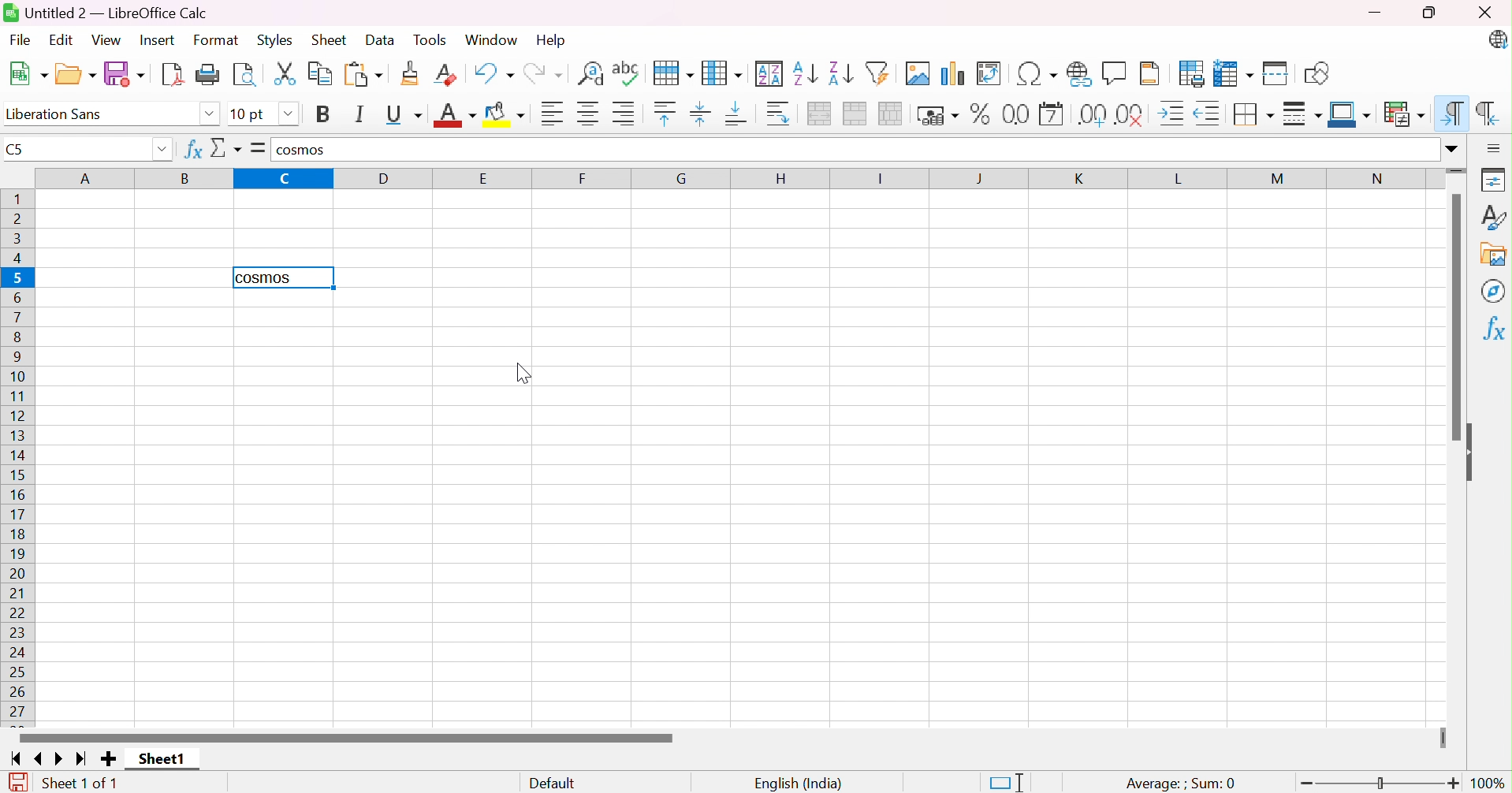  What do you see at coordinates (1443, 735) in the screenshot?
I see `Slider` at bounding box center [1443, 735].